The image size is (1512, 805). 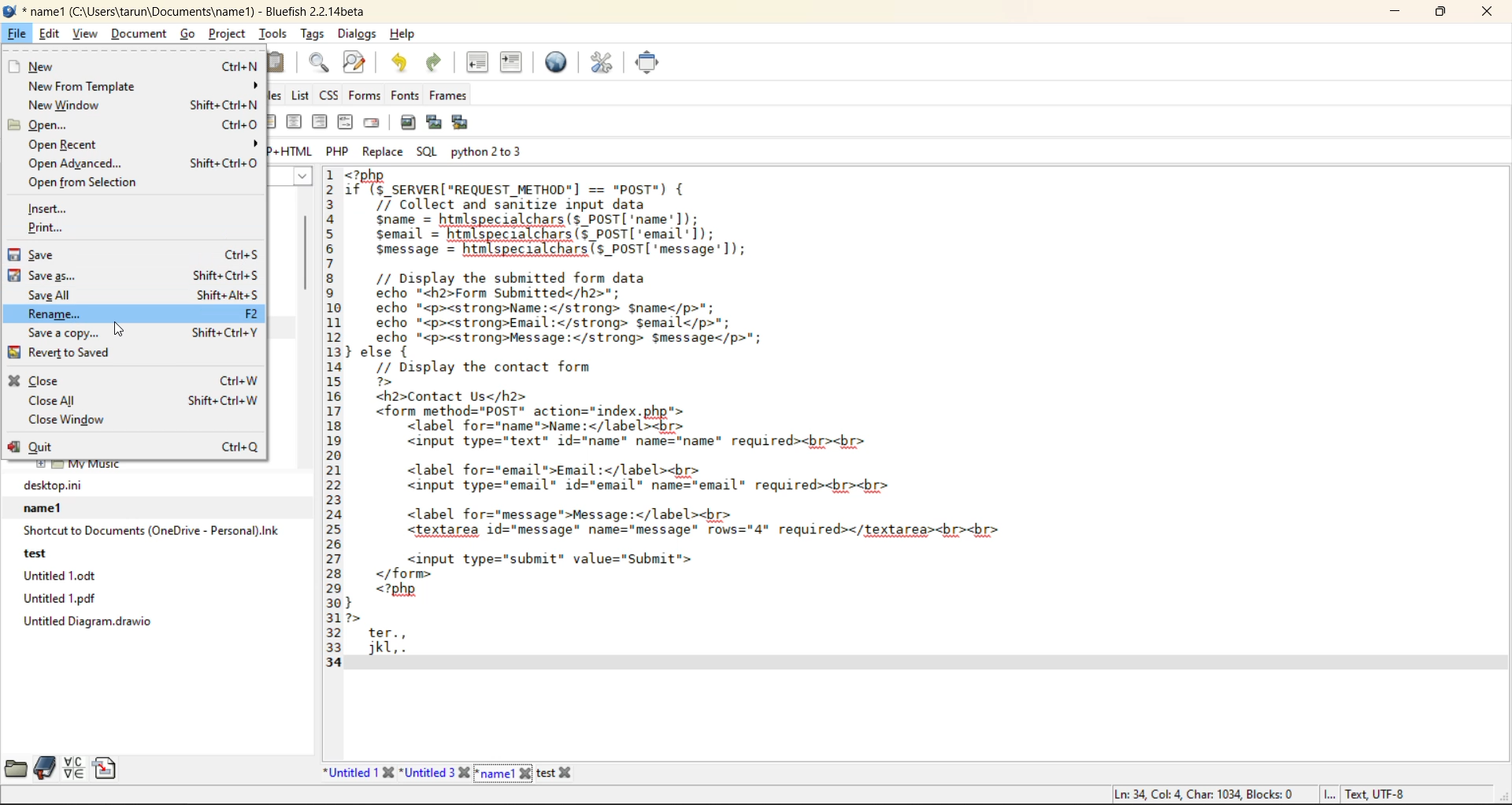 What do you see at coordinates (133, 276) in the screenshot?
I see `save as` at bounding box center [133, 276].